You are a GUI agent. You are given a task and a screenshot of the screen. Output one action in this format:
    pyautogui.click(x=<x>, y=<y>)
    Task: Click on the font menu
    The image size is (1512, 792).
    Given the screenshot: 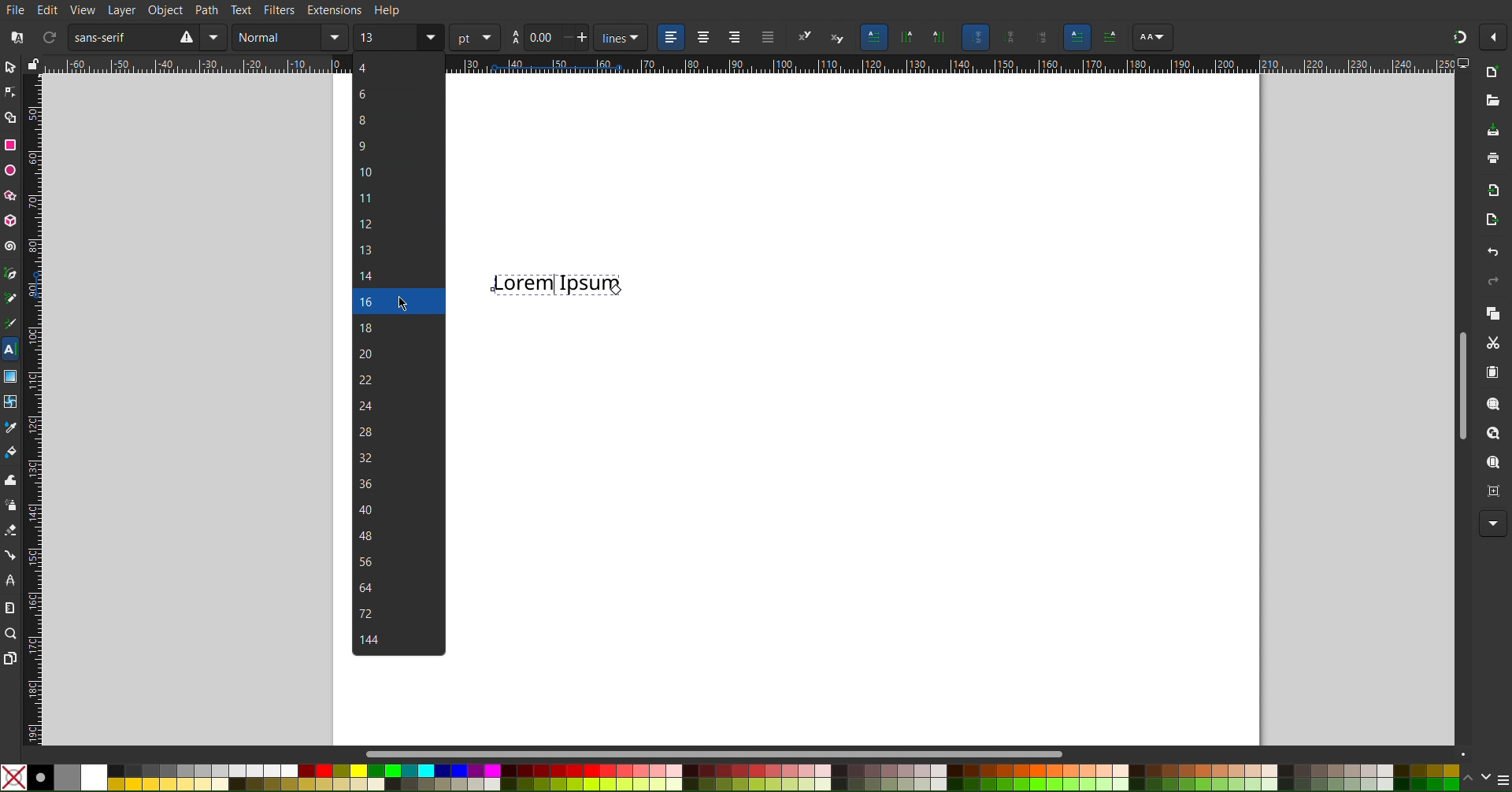 What is the action you would take?
    pyautogui.click(x=217, y=37)
    